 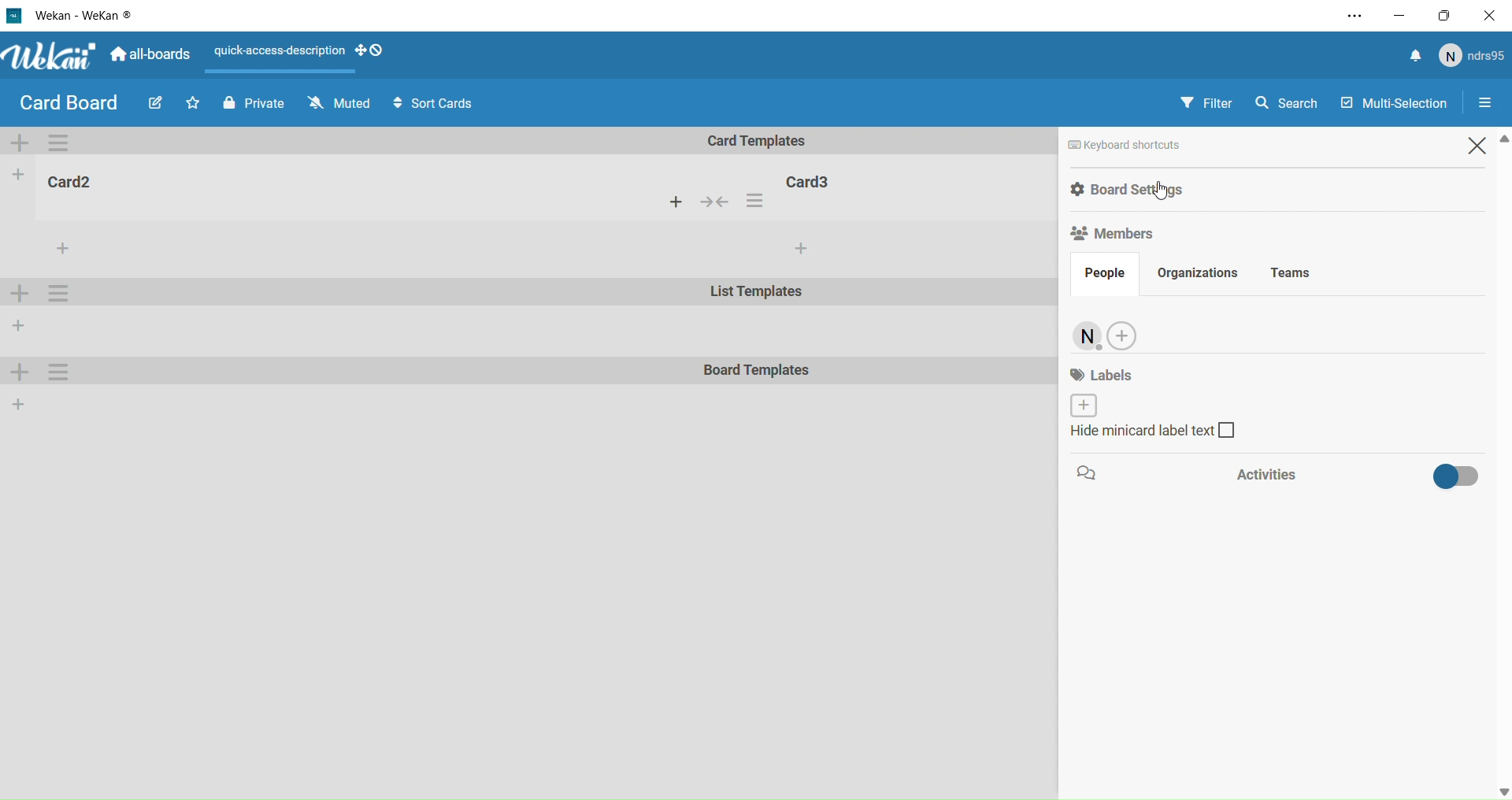 What do you see at coordinates (1399, 14) in the screenshot?
I see `minimize` at bounding box center [1399, 14].